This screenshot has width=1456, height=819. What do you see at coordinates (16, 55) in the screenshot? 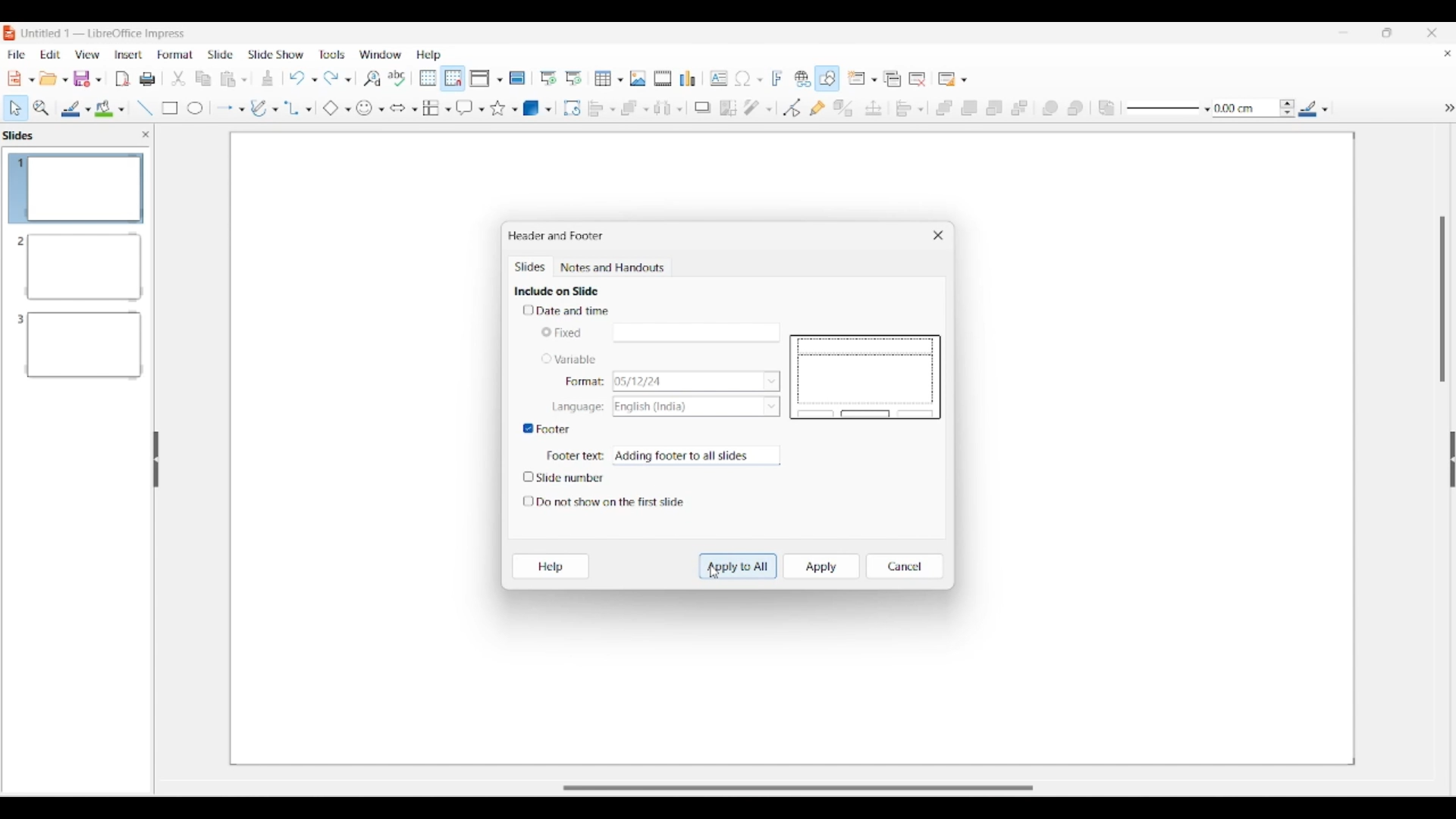
I see `File menu` at bounding box center [16, 55].